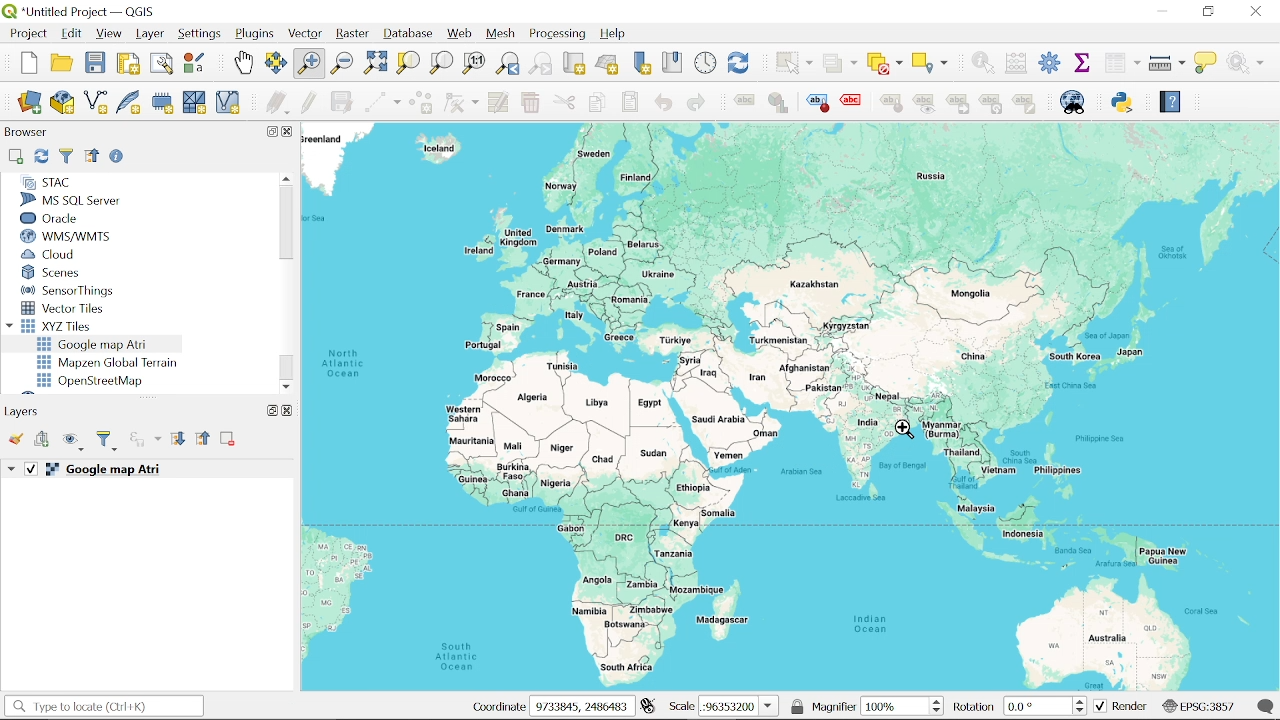  What do you see at coordinates (92, 155) in the screenshot?
I see `Collapse all` at bounding box center [92, 155].